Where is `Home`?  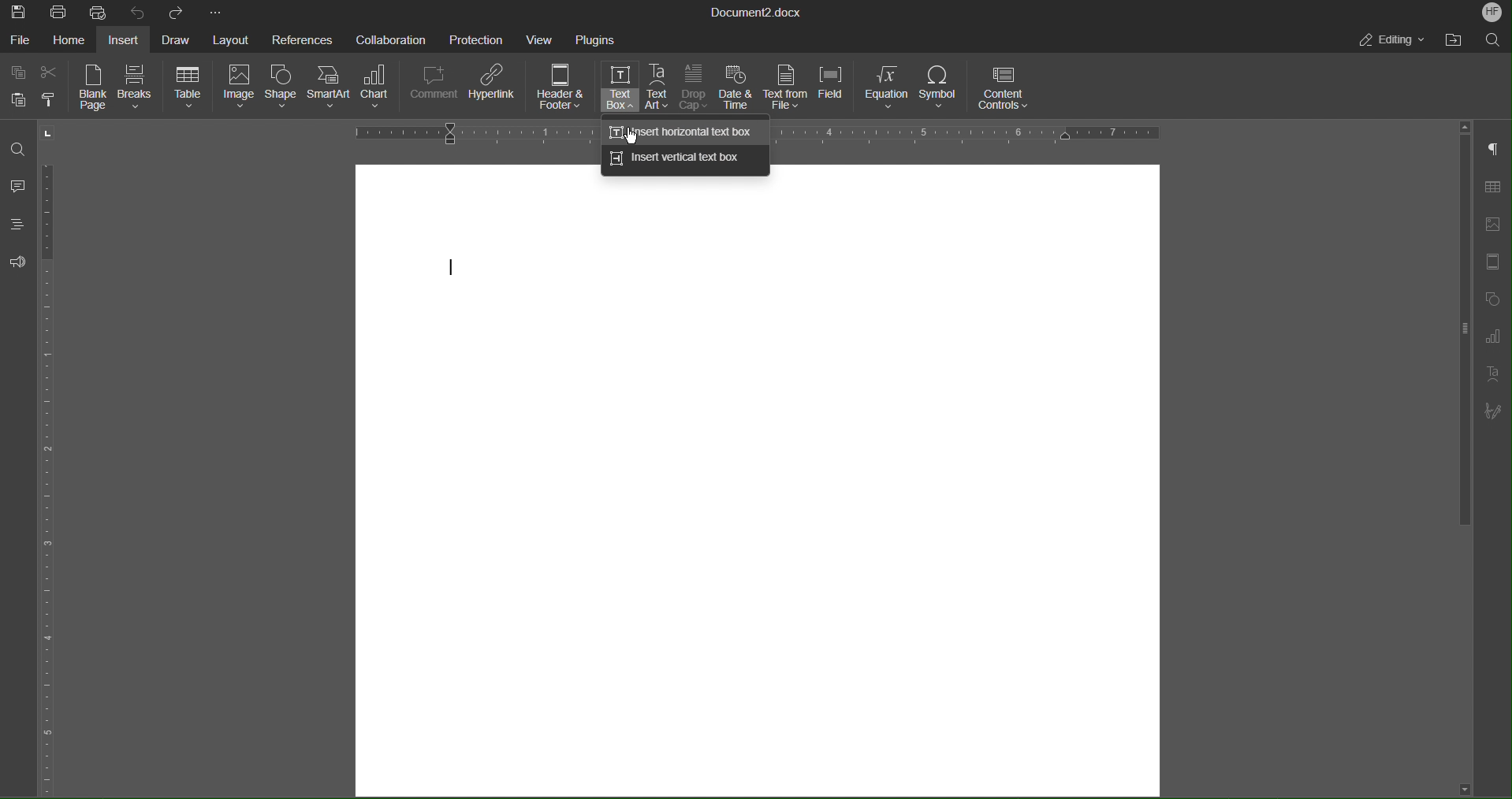
Home is located at coordinates (68, 39).